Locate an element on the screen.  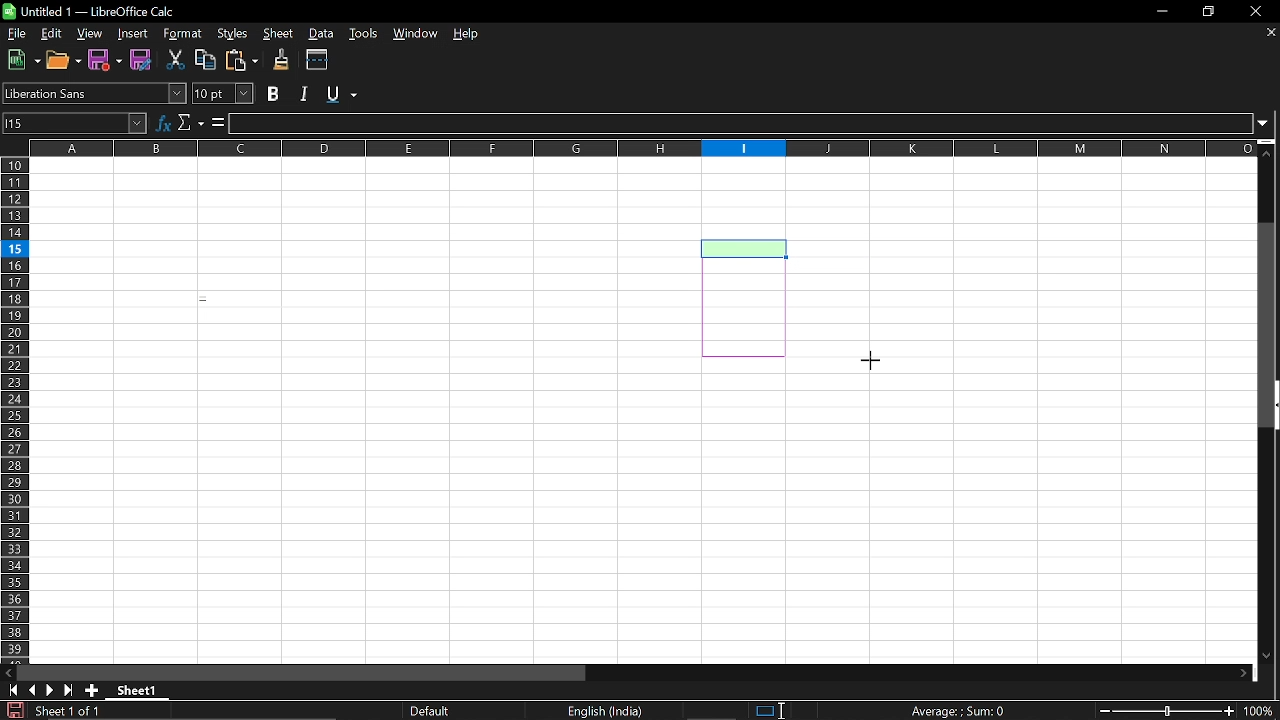
Underline is located at coordinates (344, 95).